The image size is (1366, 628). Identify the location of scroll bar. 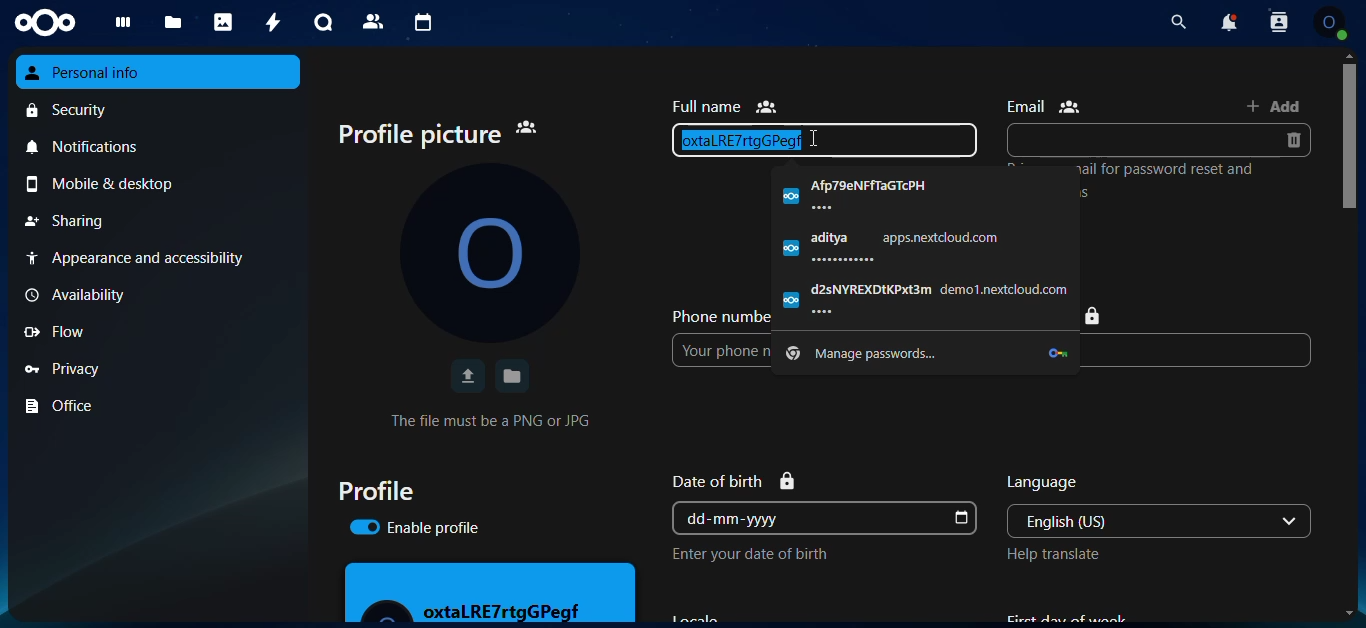
(1351, 267).